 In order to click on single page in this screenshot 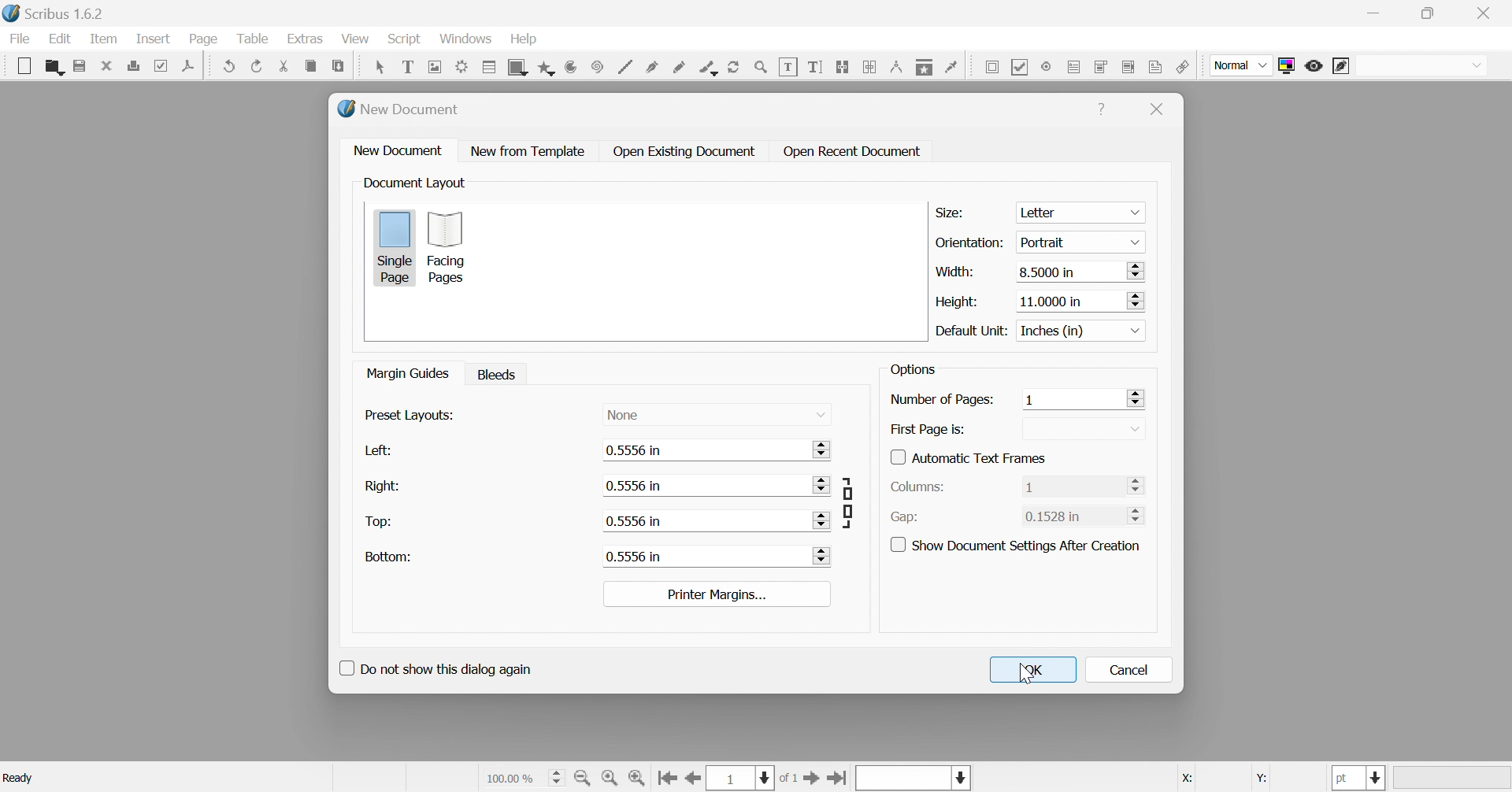, I will do `click(393, 246)`.